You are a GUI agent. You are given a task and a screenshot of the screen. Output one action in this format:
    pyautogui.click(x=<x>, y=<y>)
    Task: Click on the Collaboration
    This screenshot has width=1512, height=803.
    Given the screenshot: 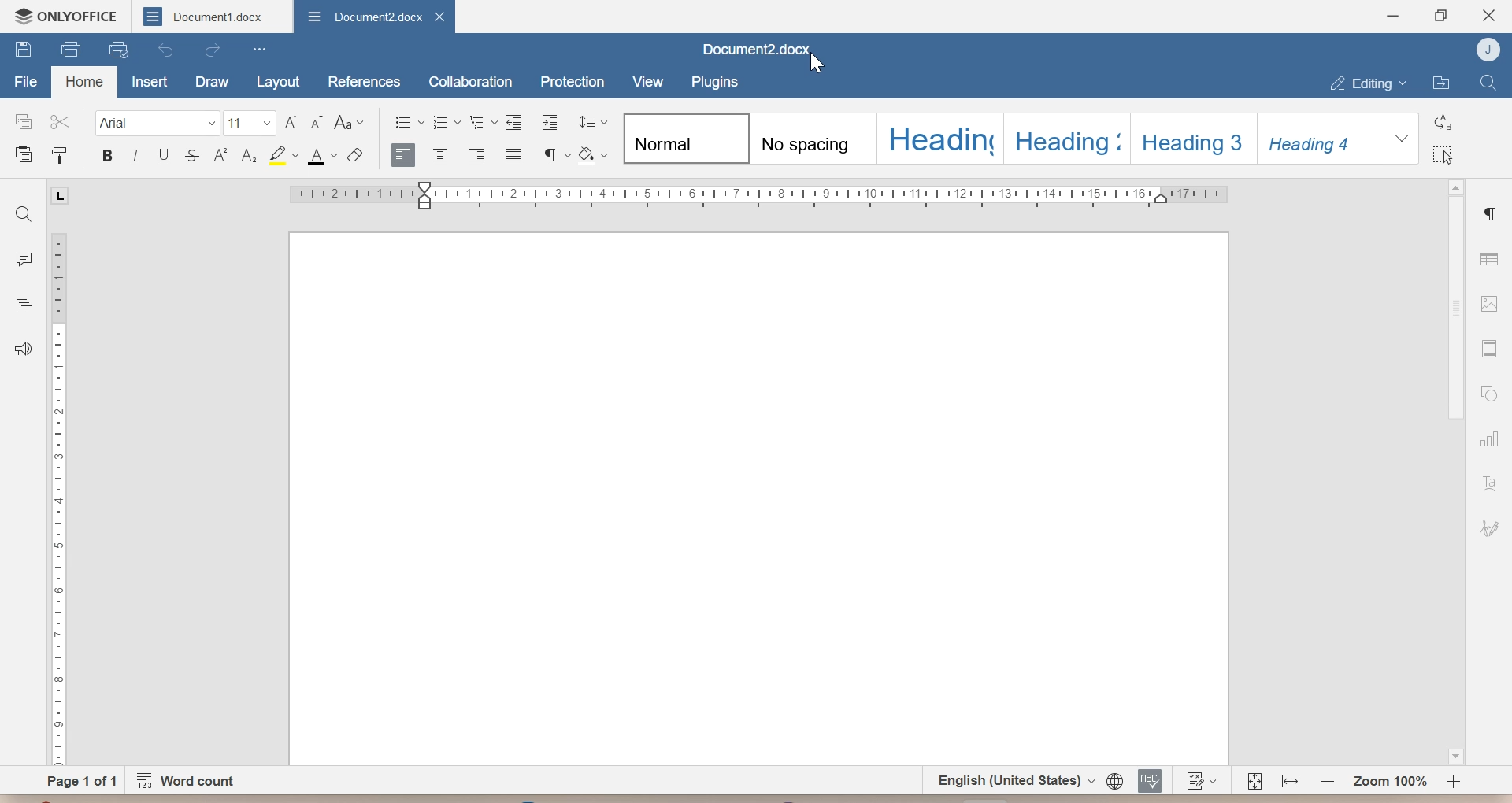 What is the action you would take?
    pyautogui.click(x=472, y=80)
    